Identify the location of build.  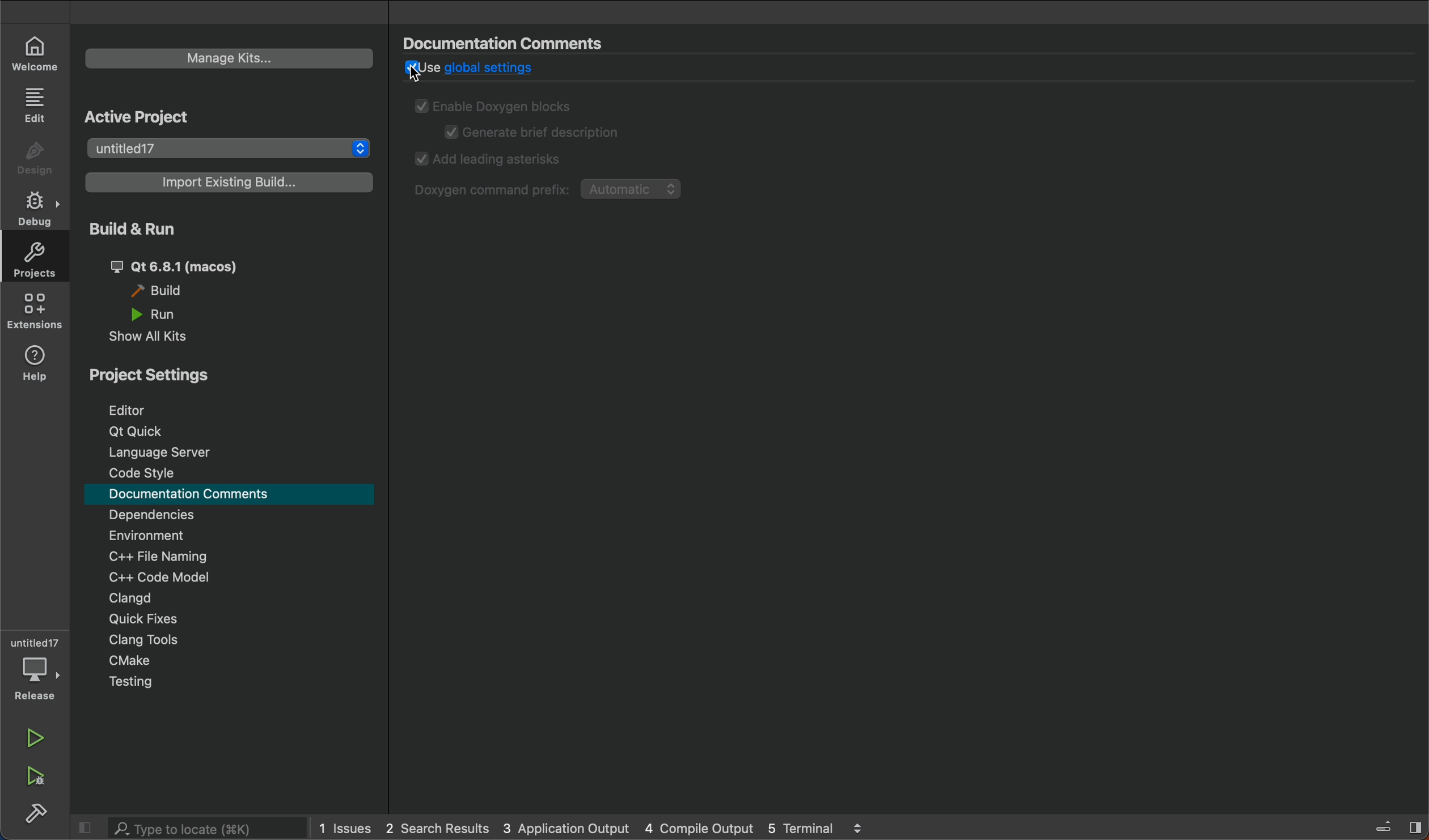
(39, 817).